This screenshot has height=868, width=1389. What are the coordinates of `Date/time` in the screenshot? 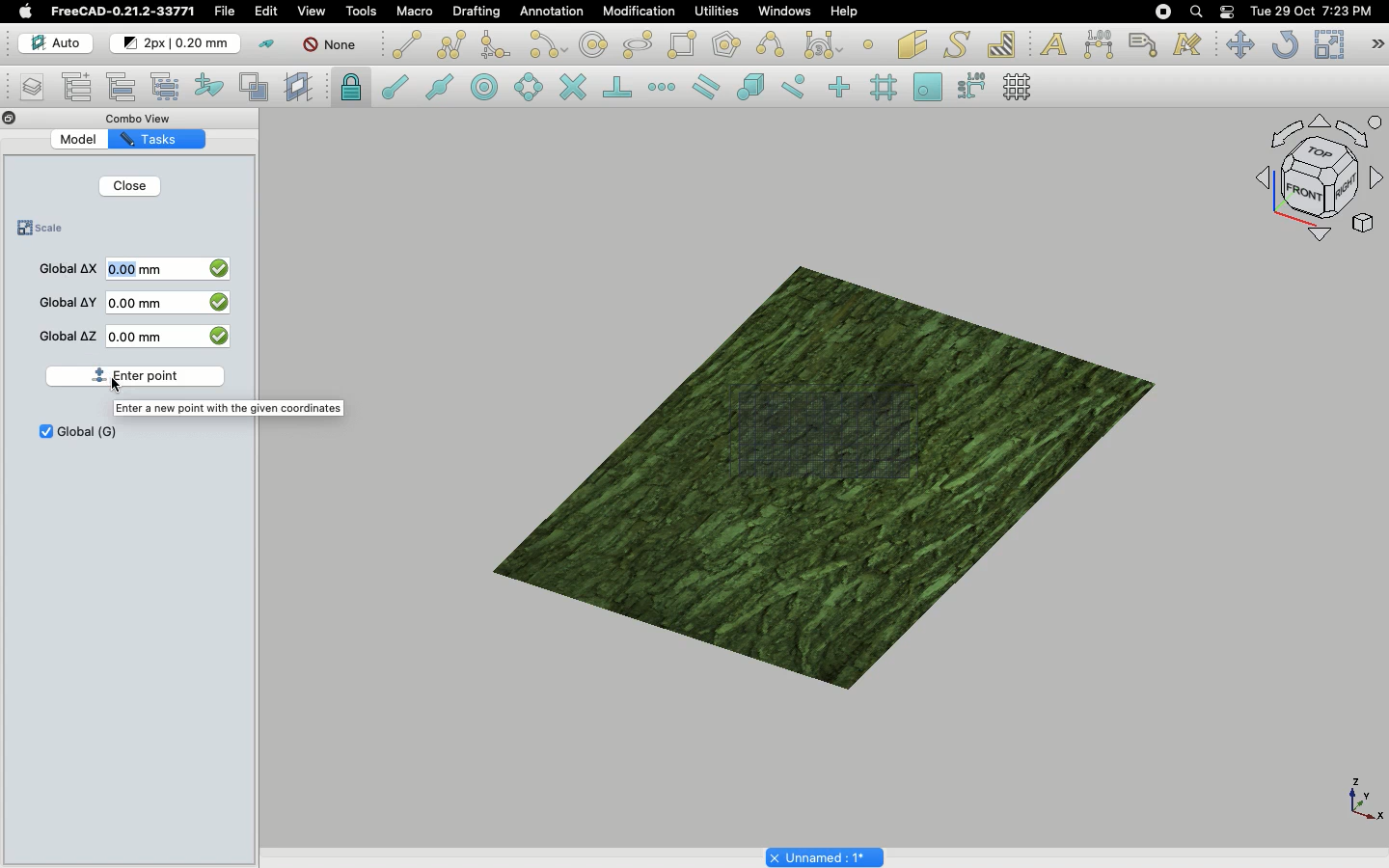 It's located at (1312, 12).